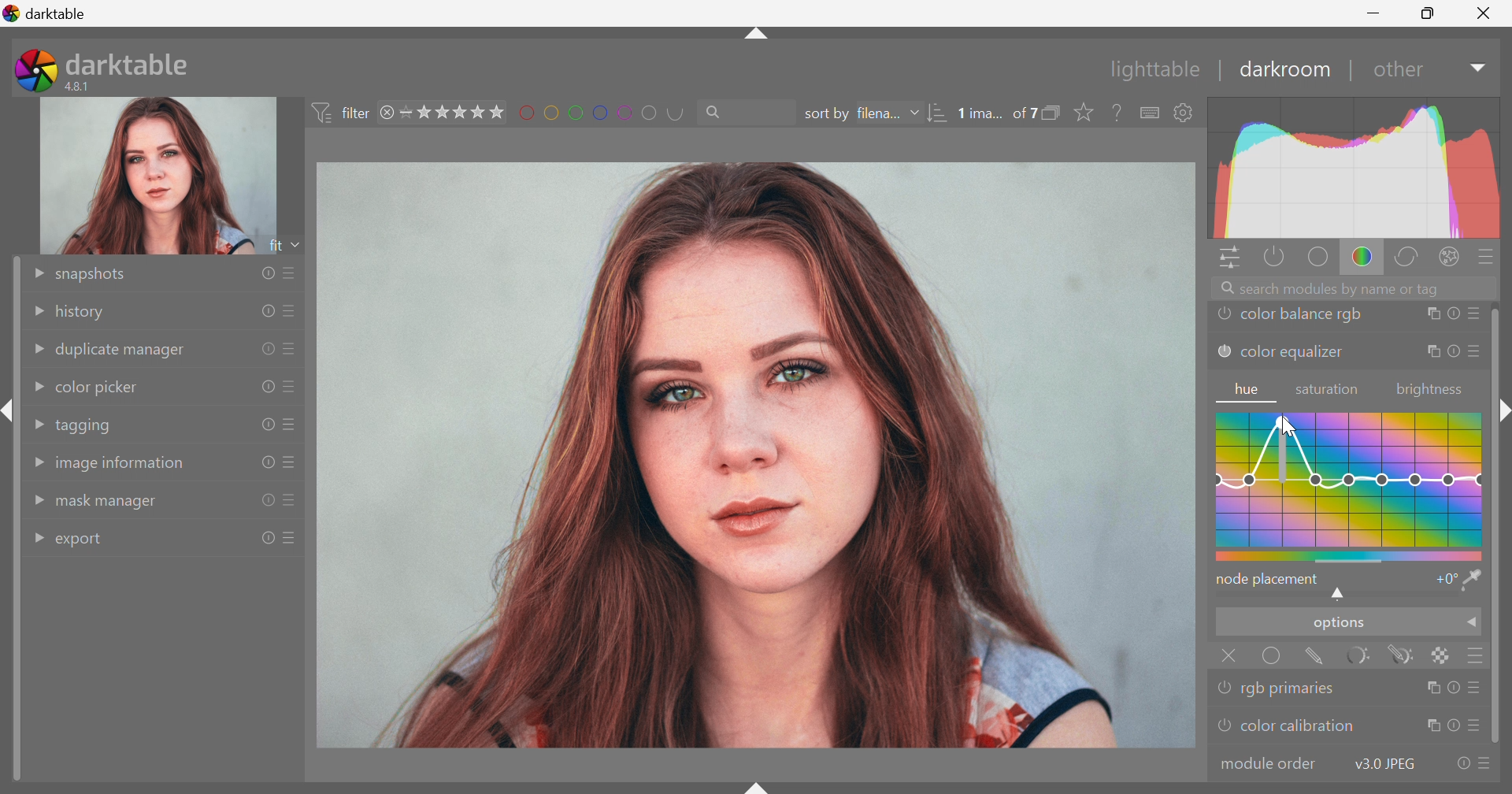  What do you see at coordinates (1226, 258) in the screenshot?
I see `quick access panel` at bounding box center [1226, 258].